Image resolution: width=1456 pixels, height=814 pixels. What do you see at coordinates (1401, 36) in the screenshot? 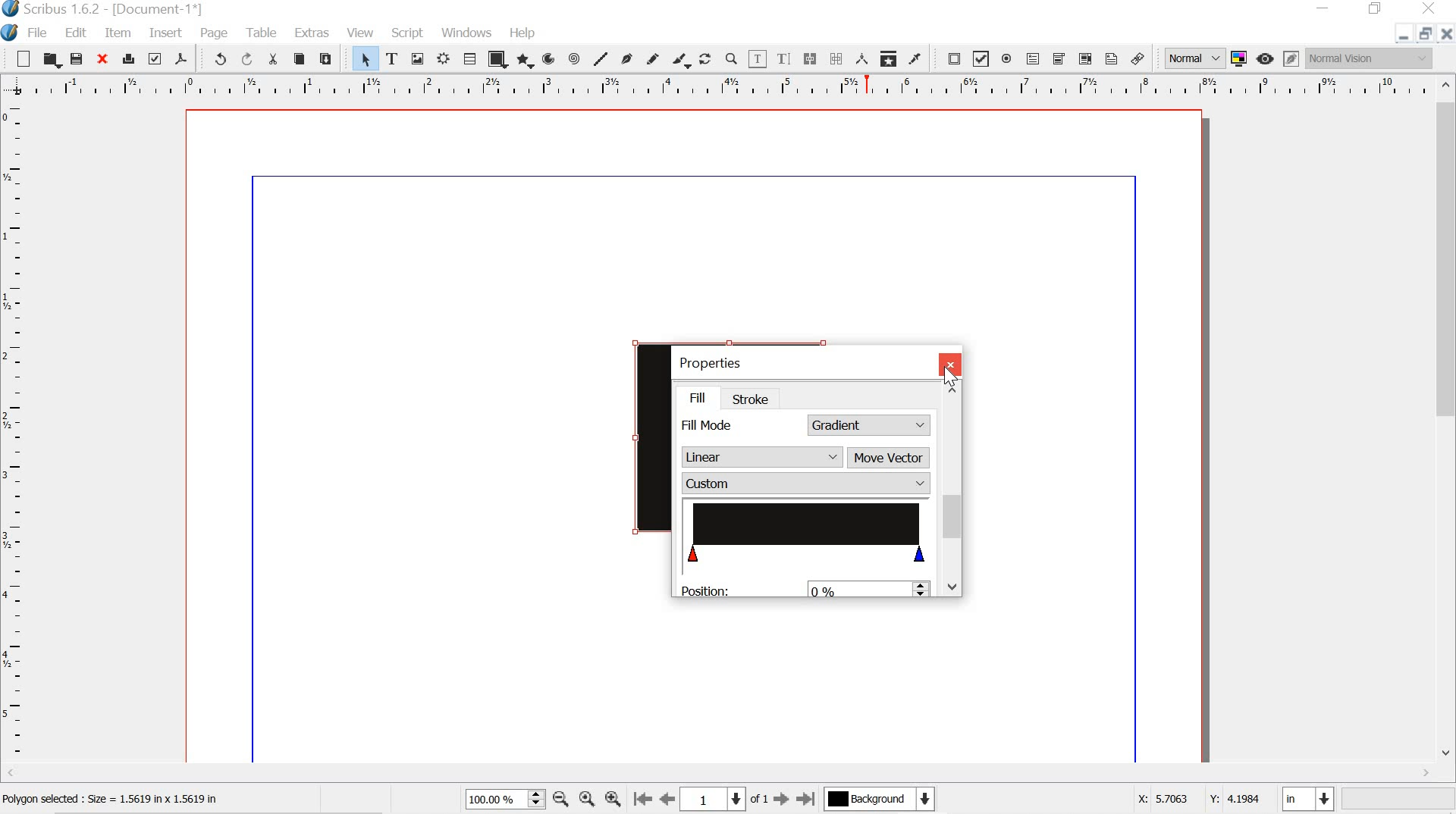
I see `minimize` at bounding box center [1401, 36].